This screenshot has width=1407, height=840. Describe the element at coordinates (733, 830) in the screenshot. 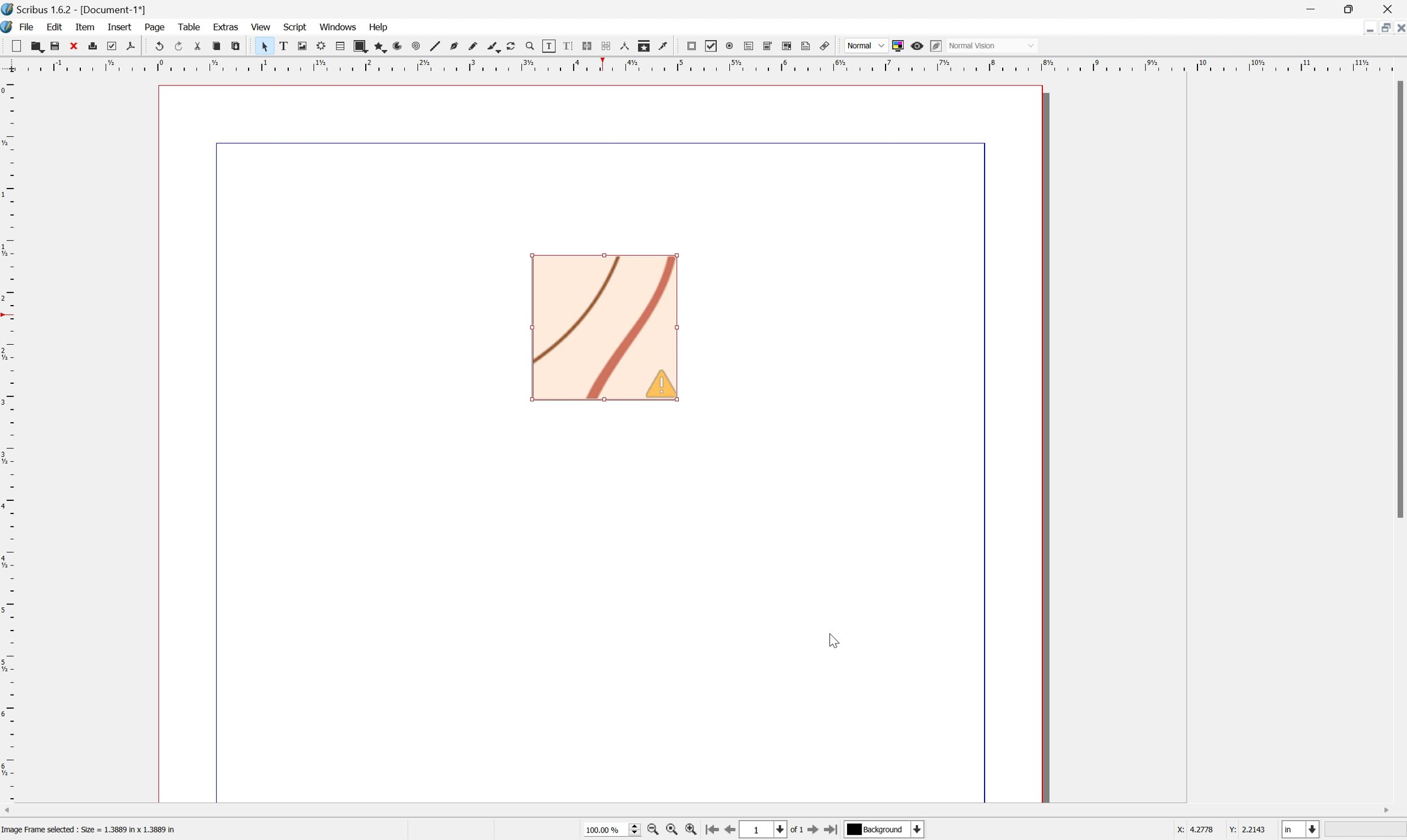

I see `Previous Page` at that location.